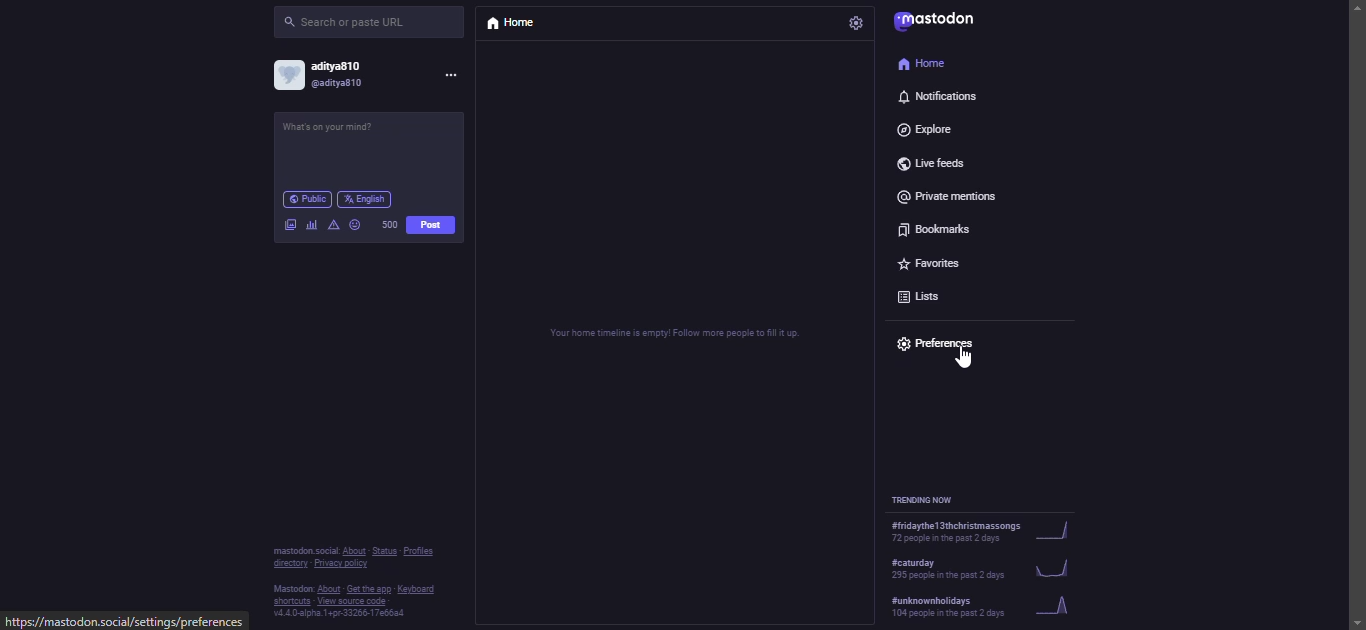 This screenshot has height=630, width=1366. I want to click on home, so click(923, 63).